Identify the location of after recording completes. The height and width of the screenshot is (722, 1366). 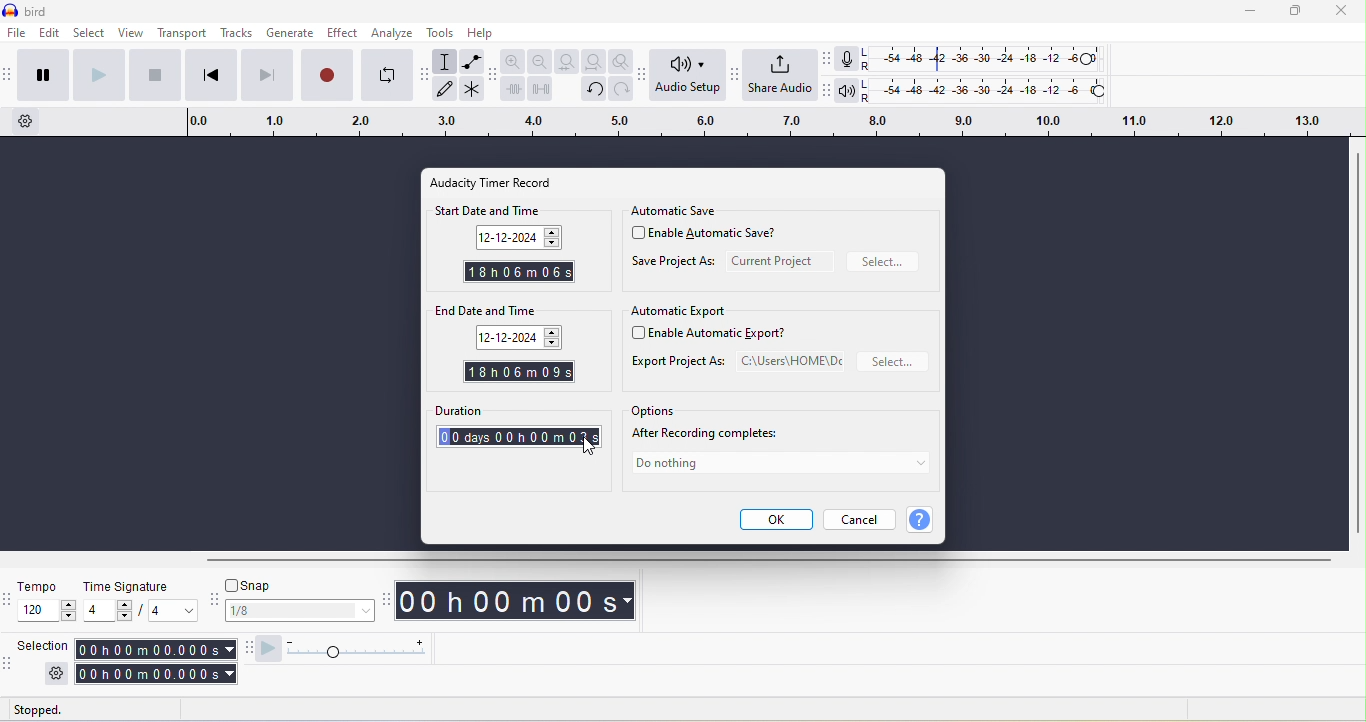
(713, 435).